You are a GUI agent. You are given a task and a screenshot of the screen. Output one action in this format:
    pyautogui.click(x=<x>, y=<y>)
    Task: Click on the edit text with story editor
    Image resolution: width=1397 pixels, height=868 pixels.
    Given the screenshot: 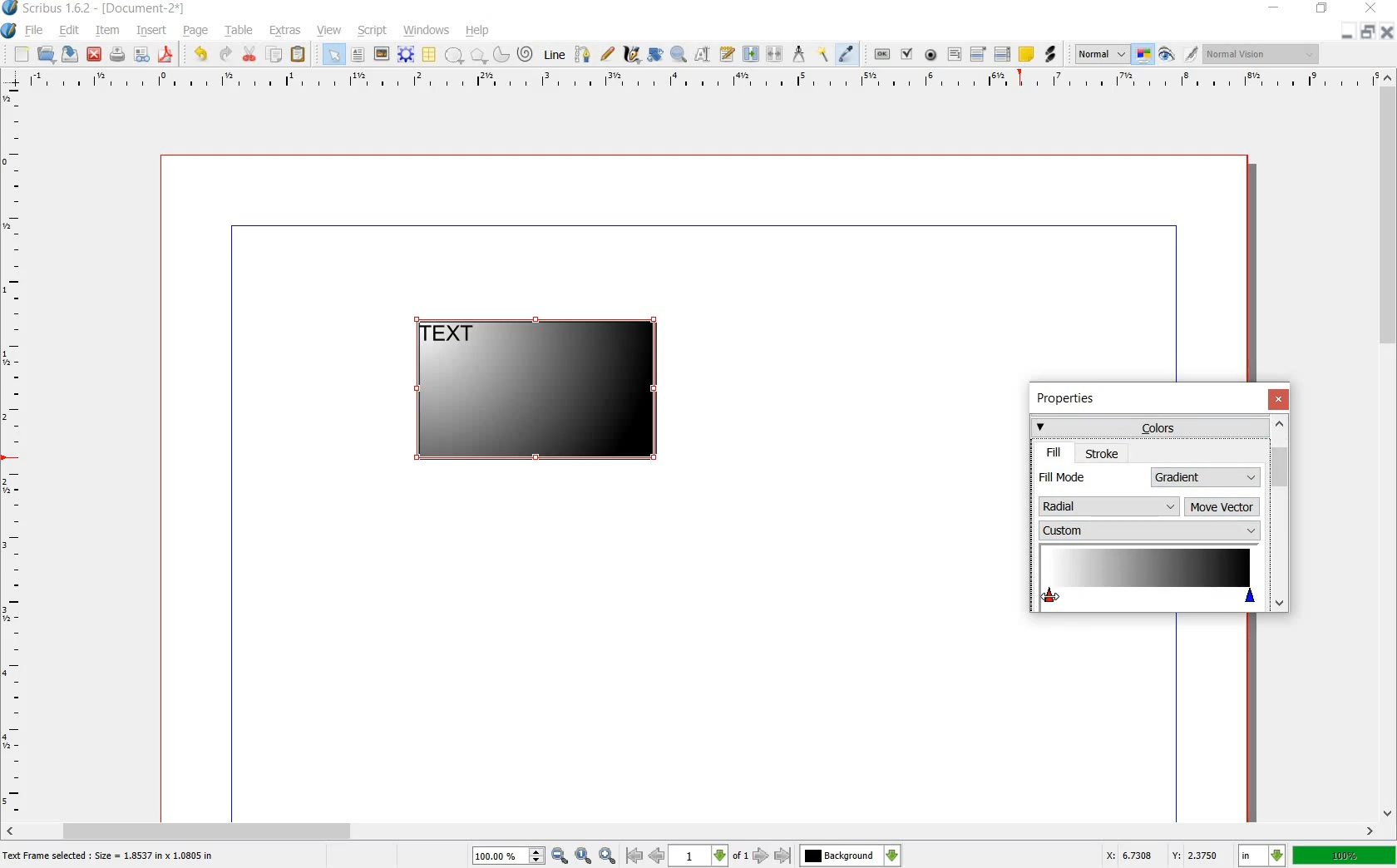 What is the action you would take?
    pyautogui.click(x=726, y=54)
    